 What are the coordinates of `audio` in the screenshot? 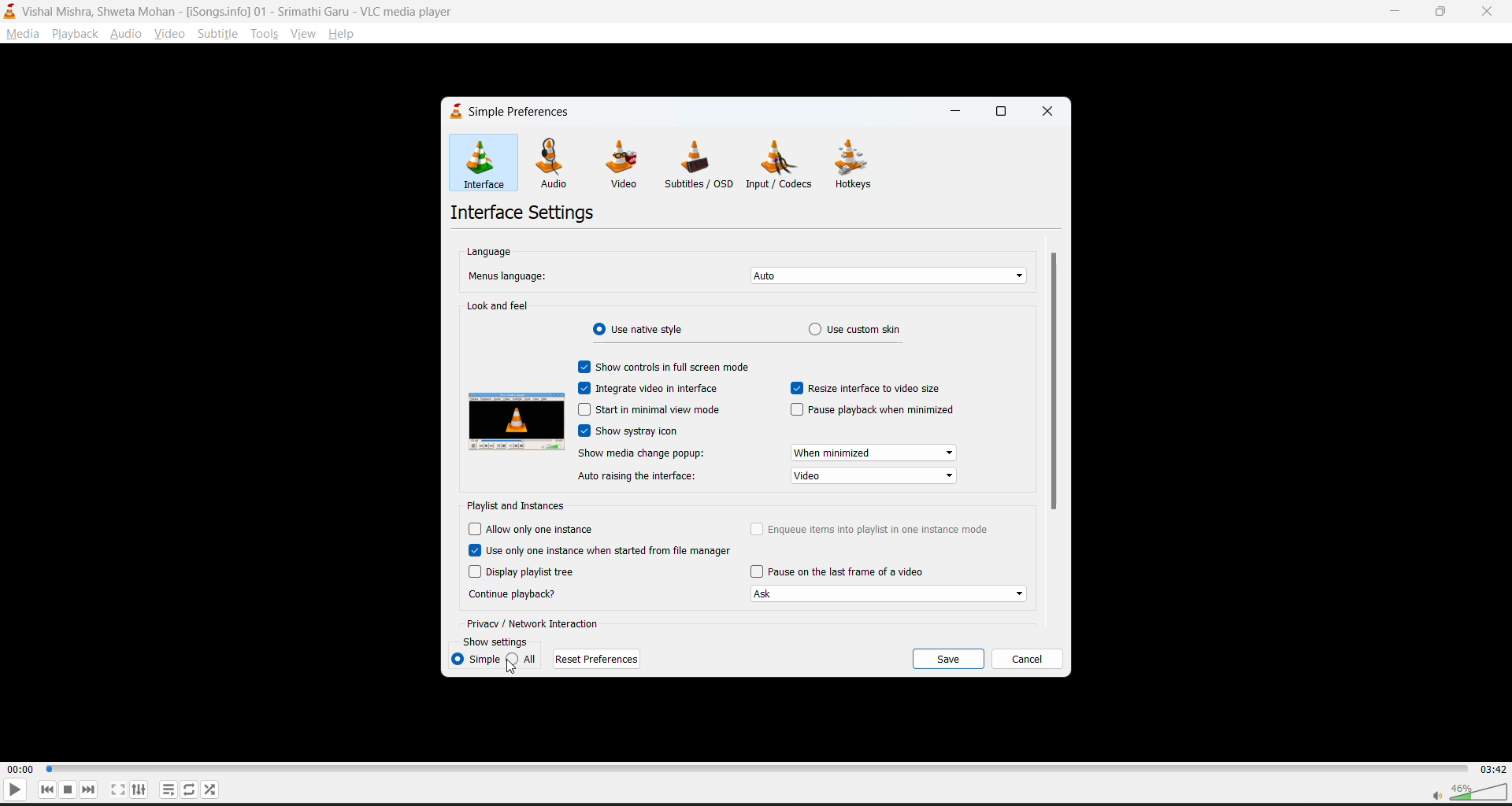 It's located at (127, 35).